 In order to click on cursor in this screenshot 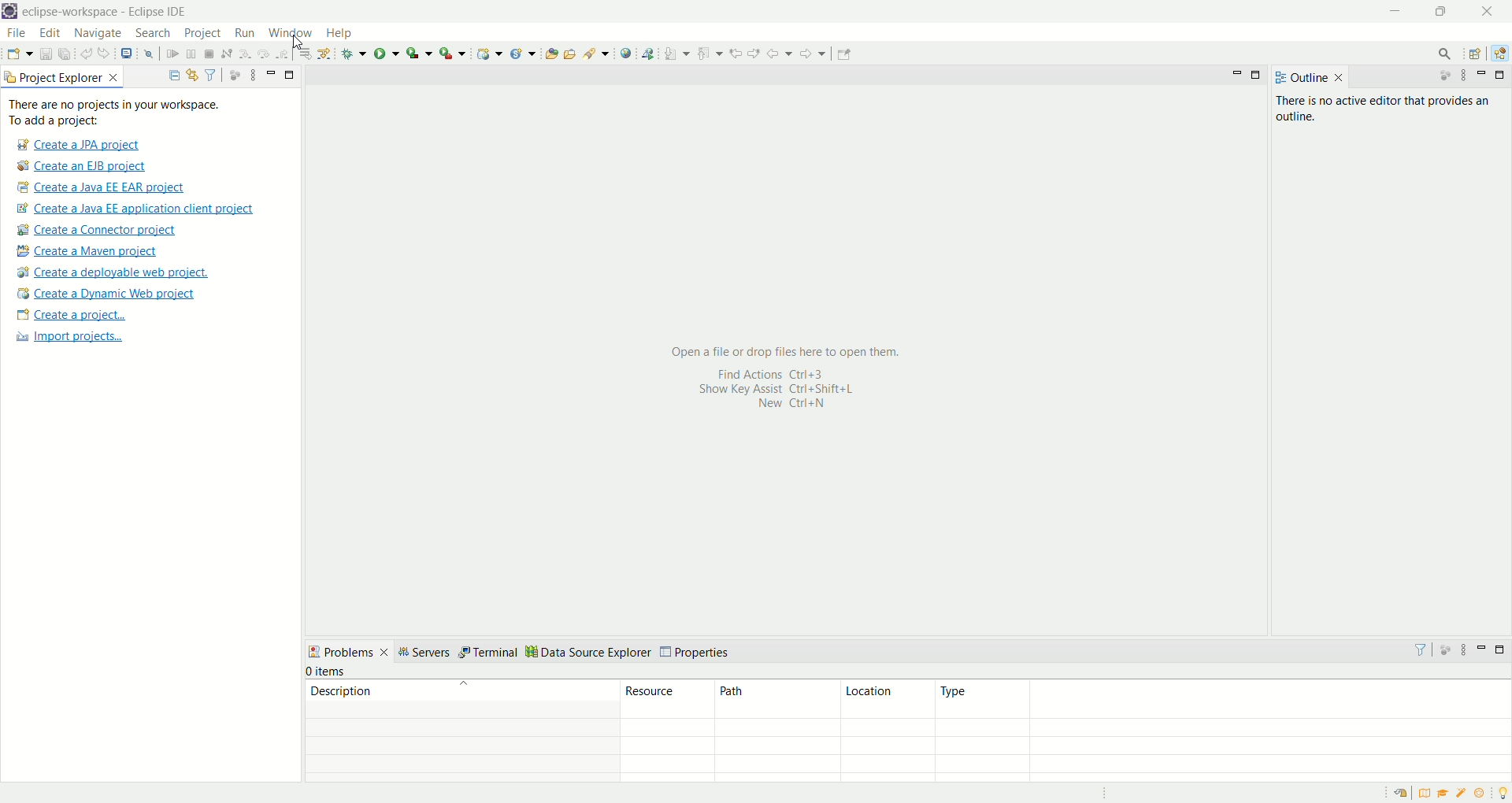, I will do `click(299, 44)`.